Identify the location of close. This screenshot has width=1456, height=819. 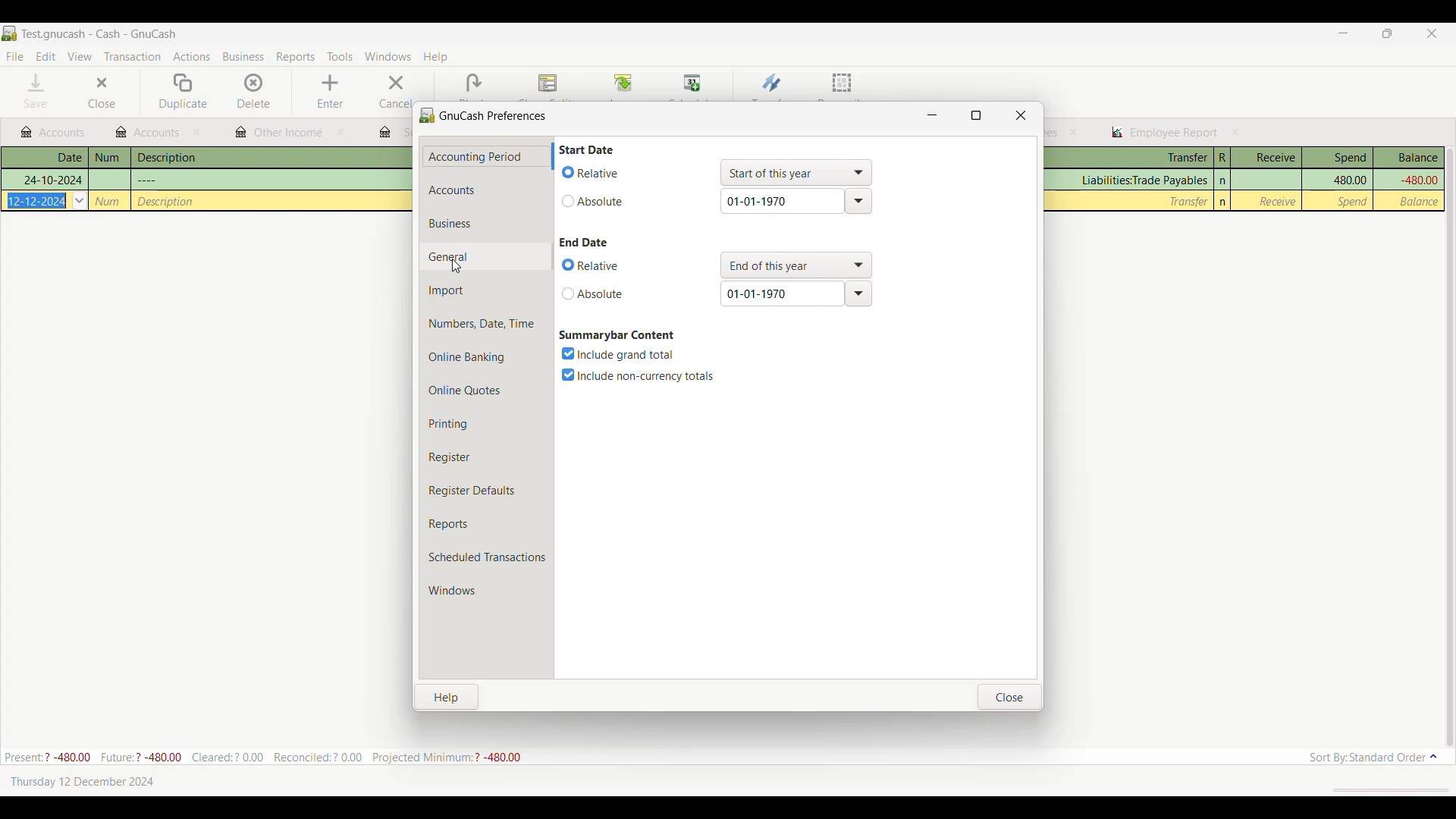
(1236, 132).